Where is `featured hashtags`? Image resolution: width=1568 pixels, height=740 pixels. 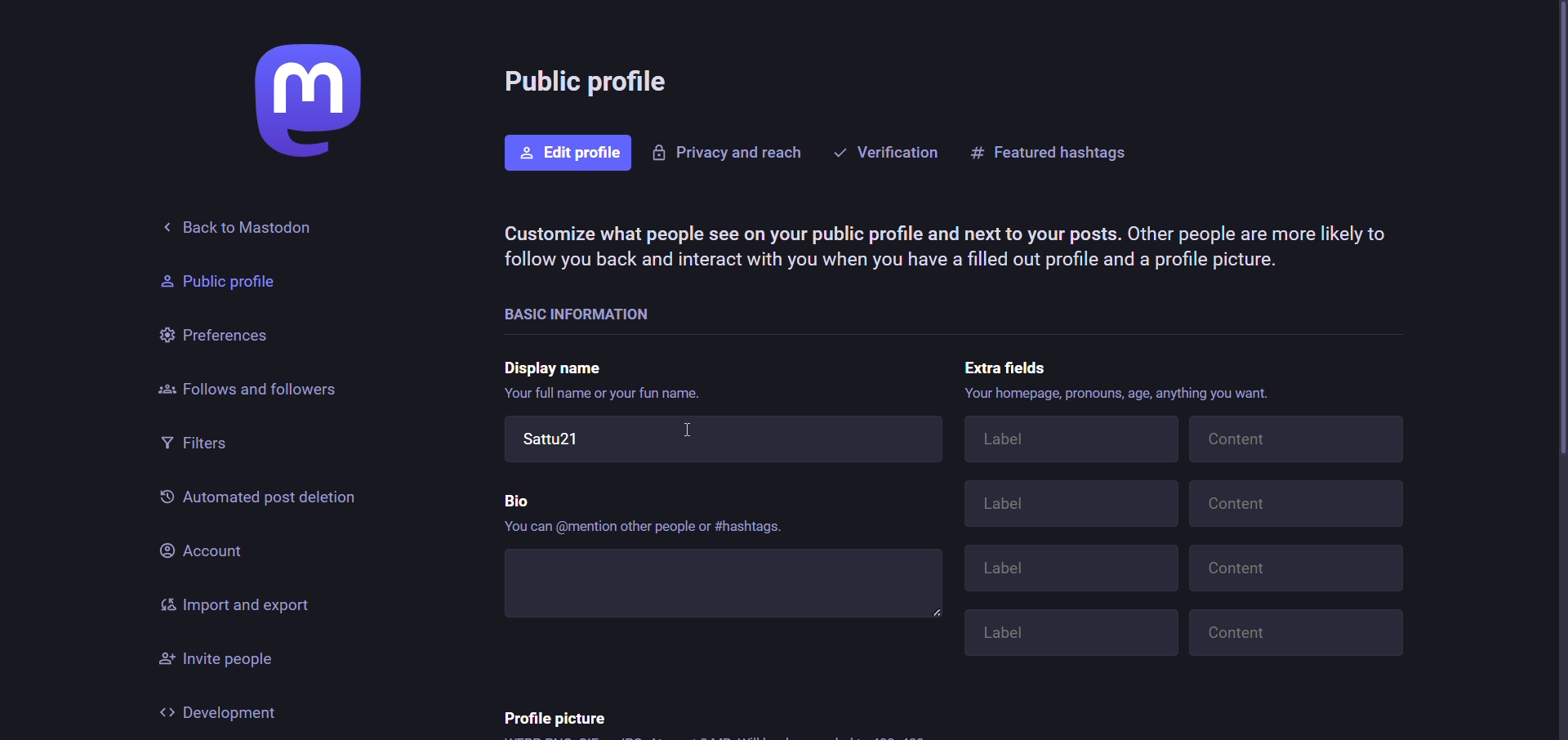
featured hashtags is located at coordinates (1053, 150).